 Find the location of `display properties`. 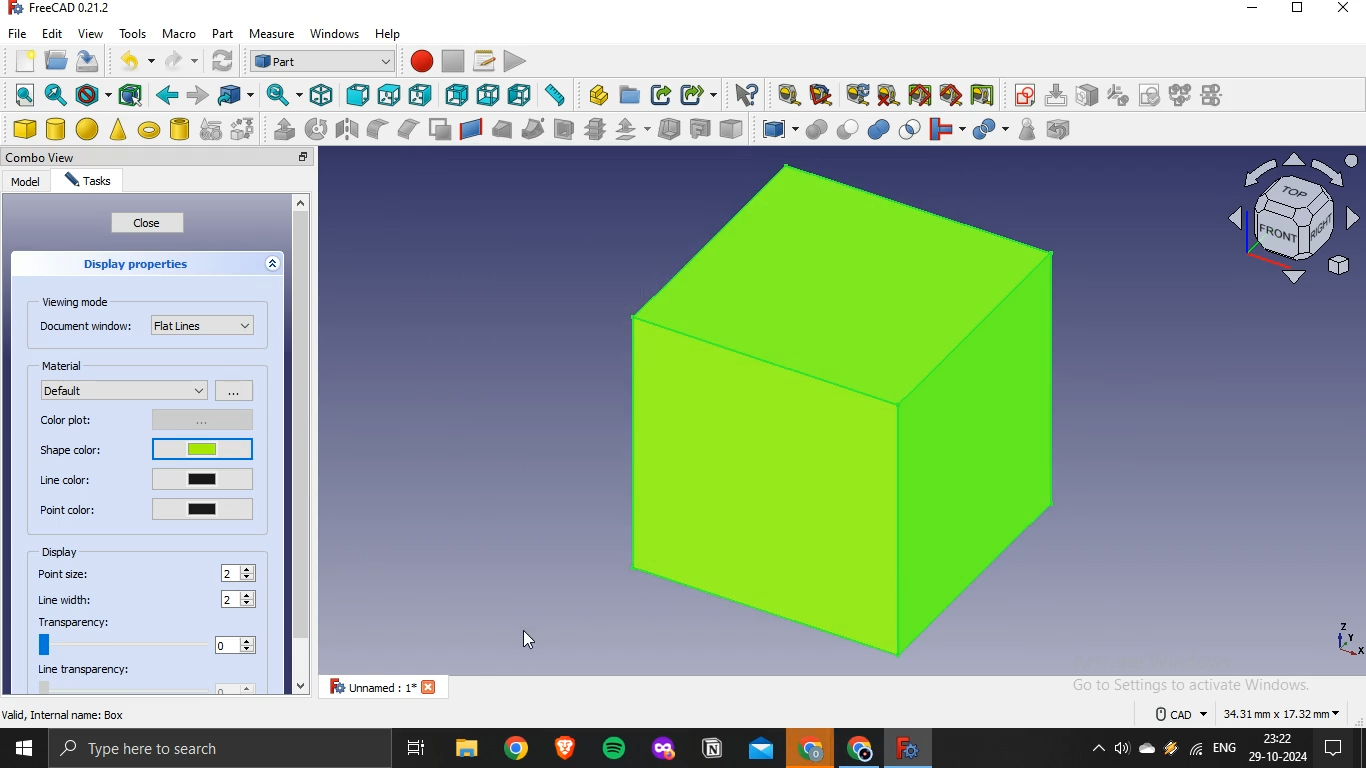

display properties is located at coordinates (137, 263).